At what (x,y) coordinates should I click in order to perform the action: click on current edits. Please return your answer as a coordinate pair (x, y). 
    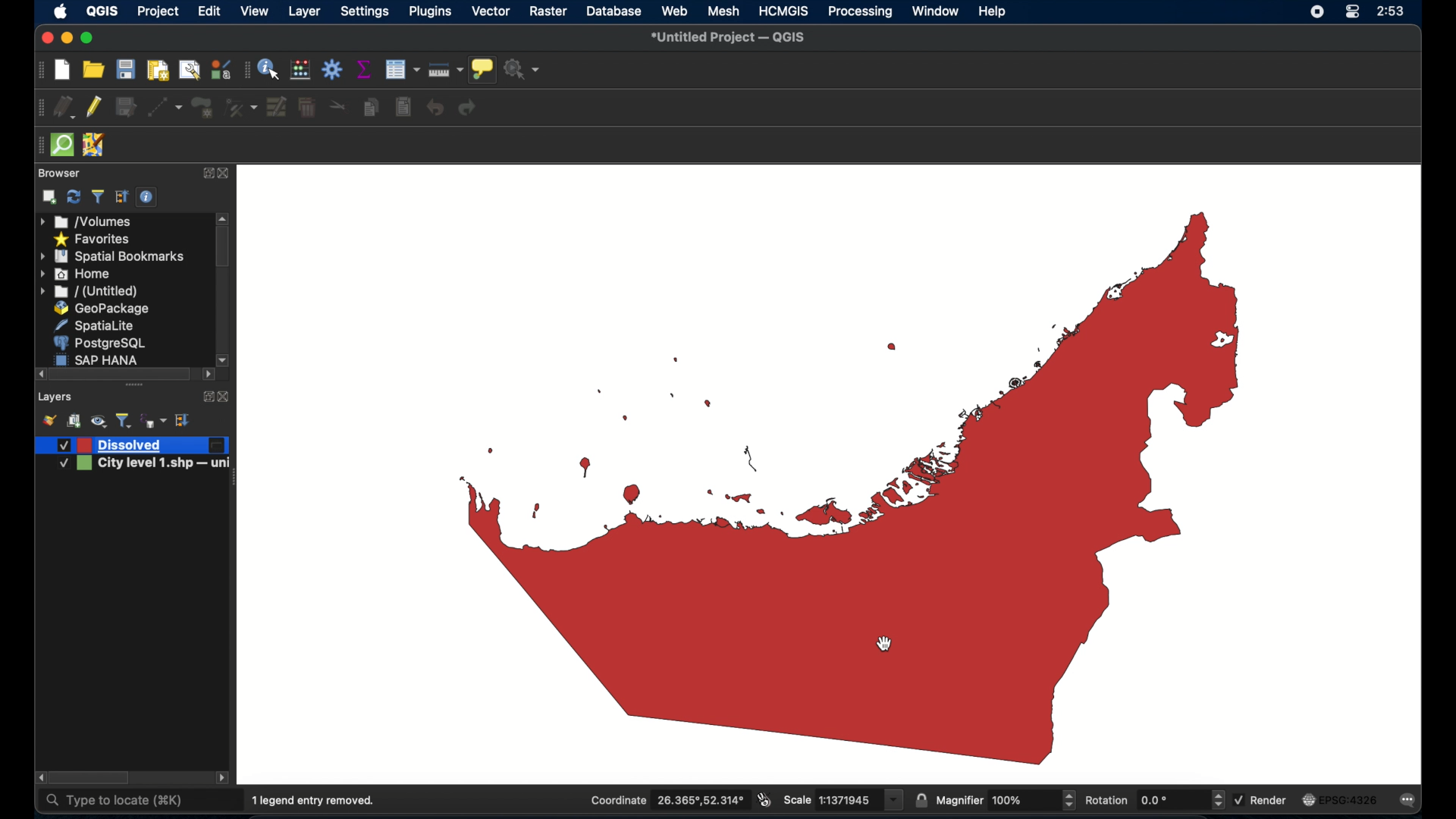
    Looking at the image, I should click on (64, 107).